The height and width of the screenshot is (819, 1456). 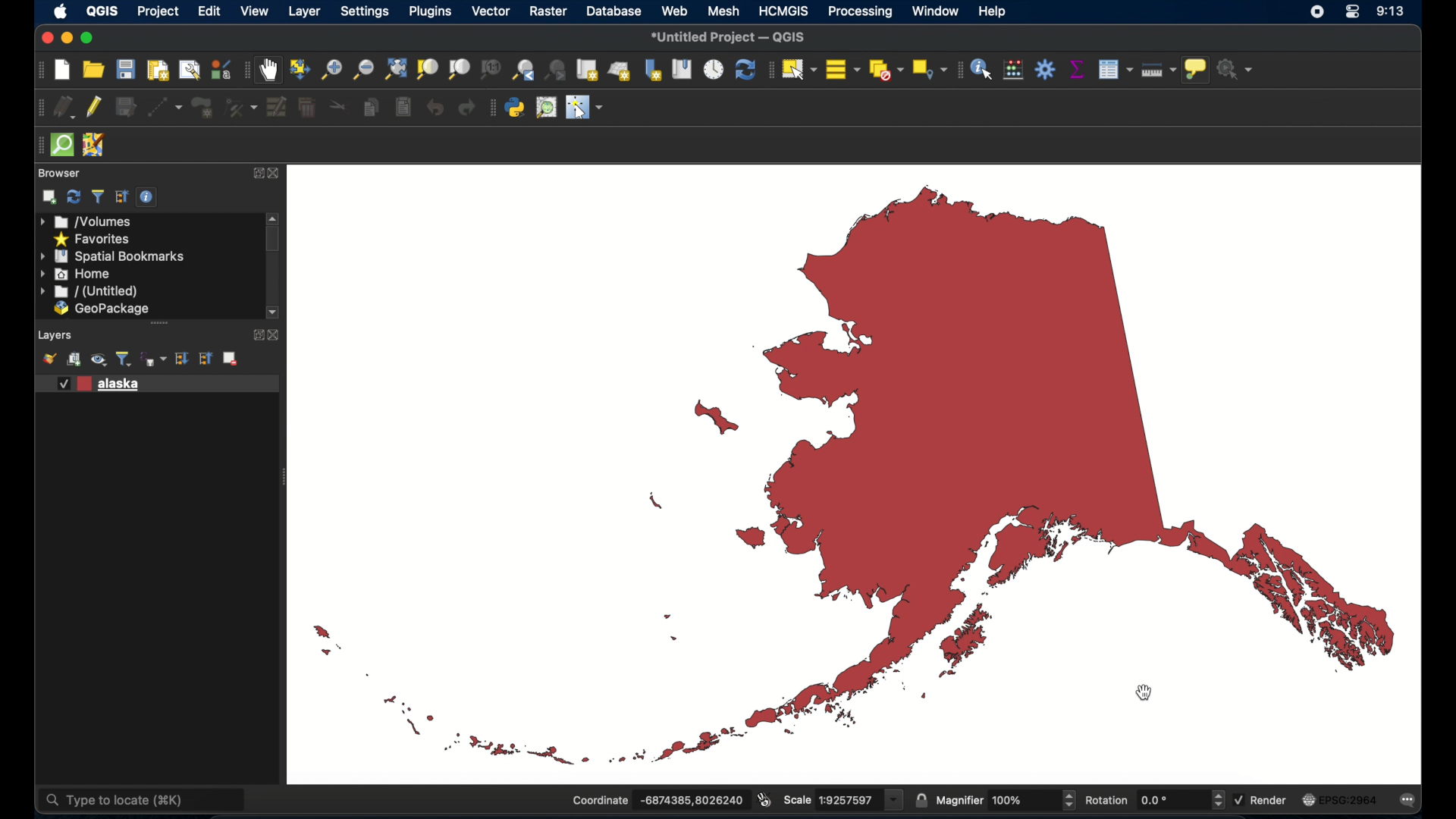 What do you see at coordinates (275, 240) in the screenshot?
I see `scroll box` at bounding box center [275, 240].